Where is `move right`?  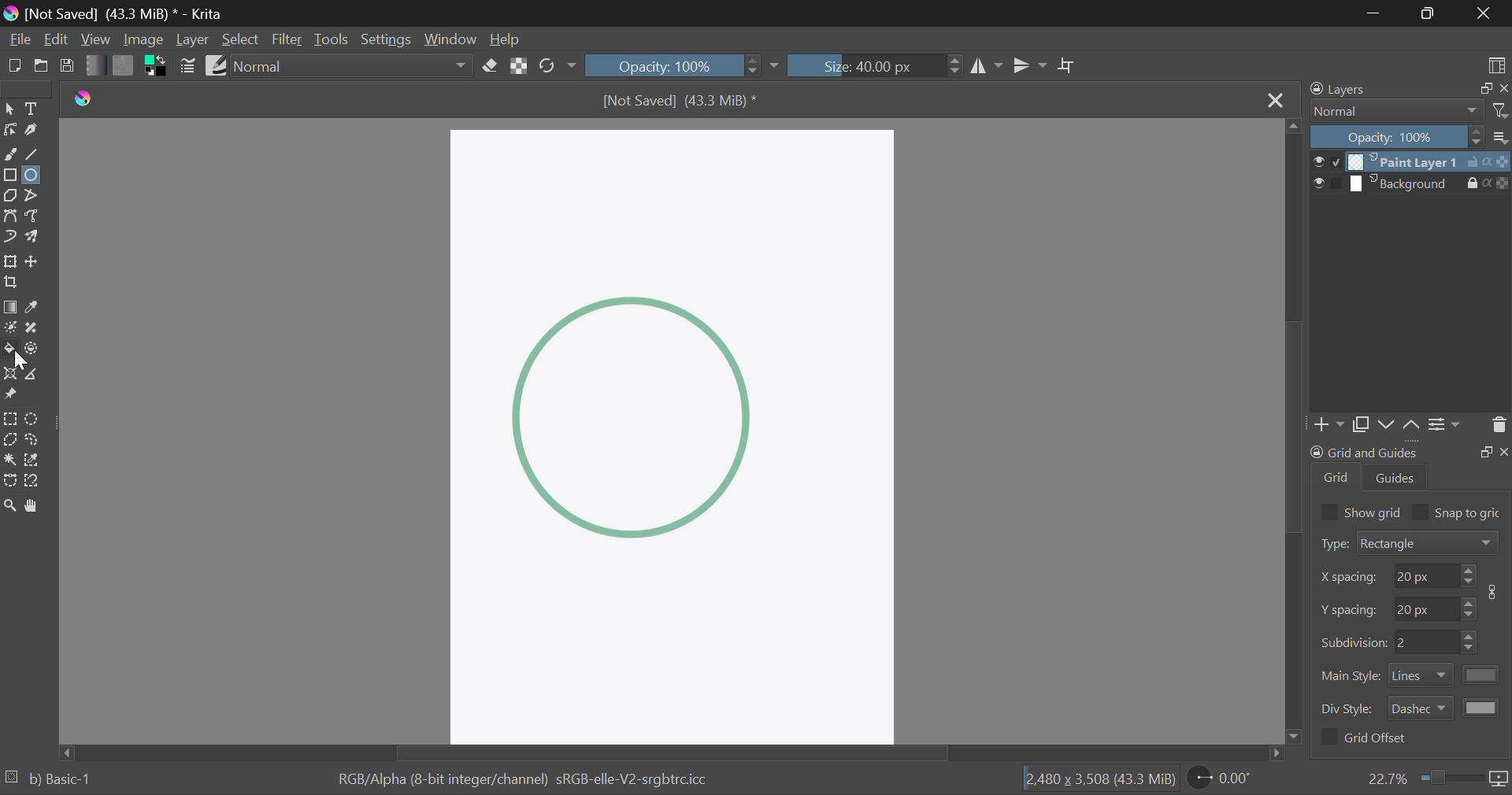 move right is located at coordinates (1279, 753).